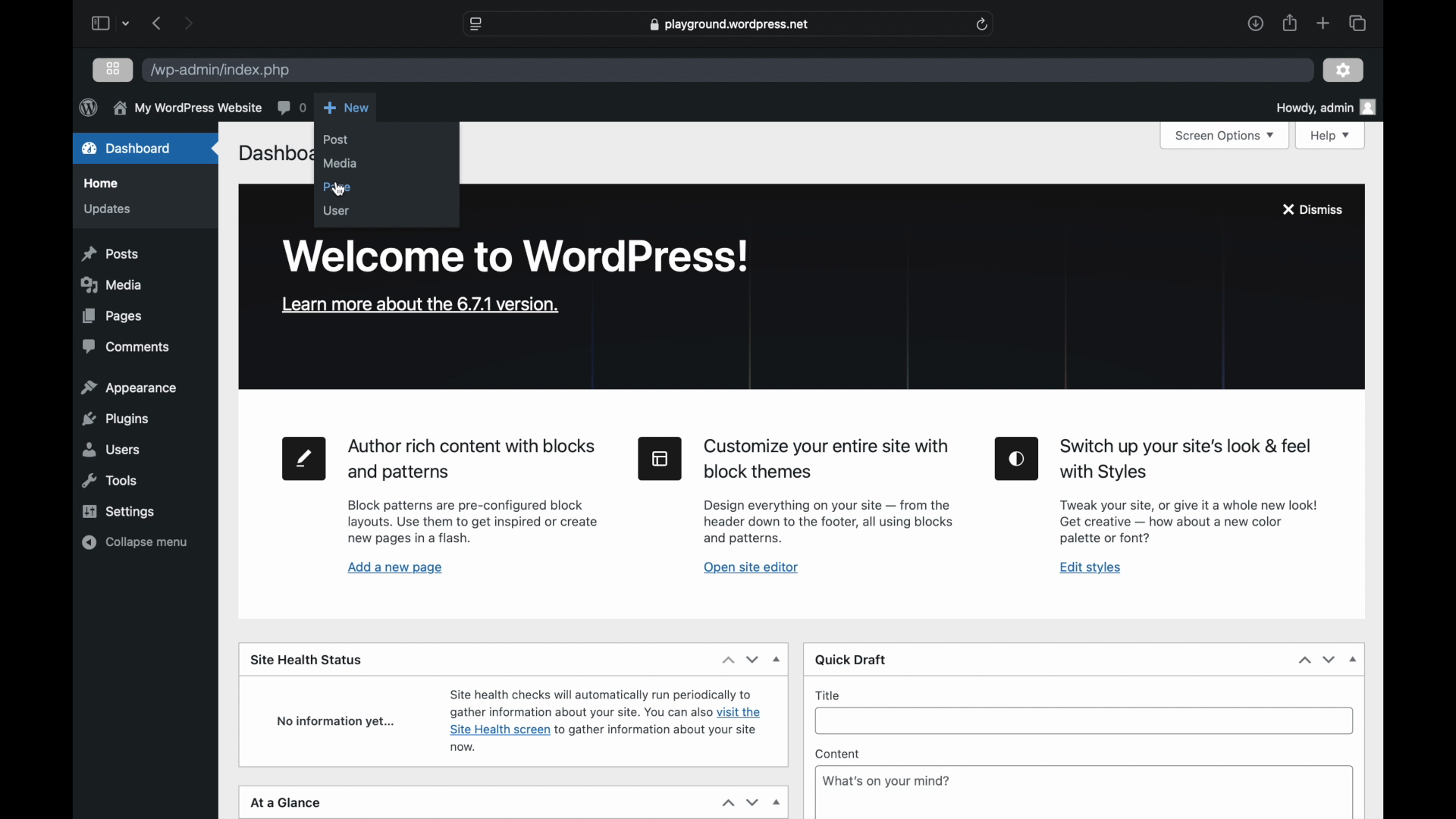 The height and width of the screenshot is (819, 1456). I want to click on post, so click(337, 140).